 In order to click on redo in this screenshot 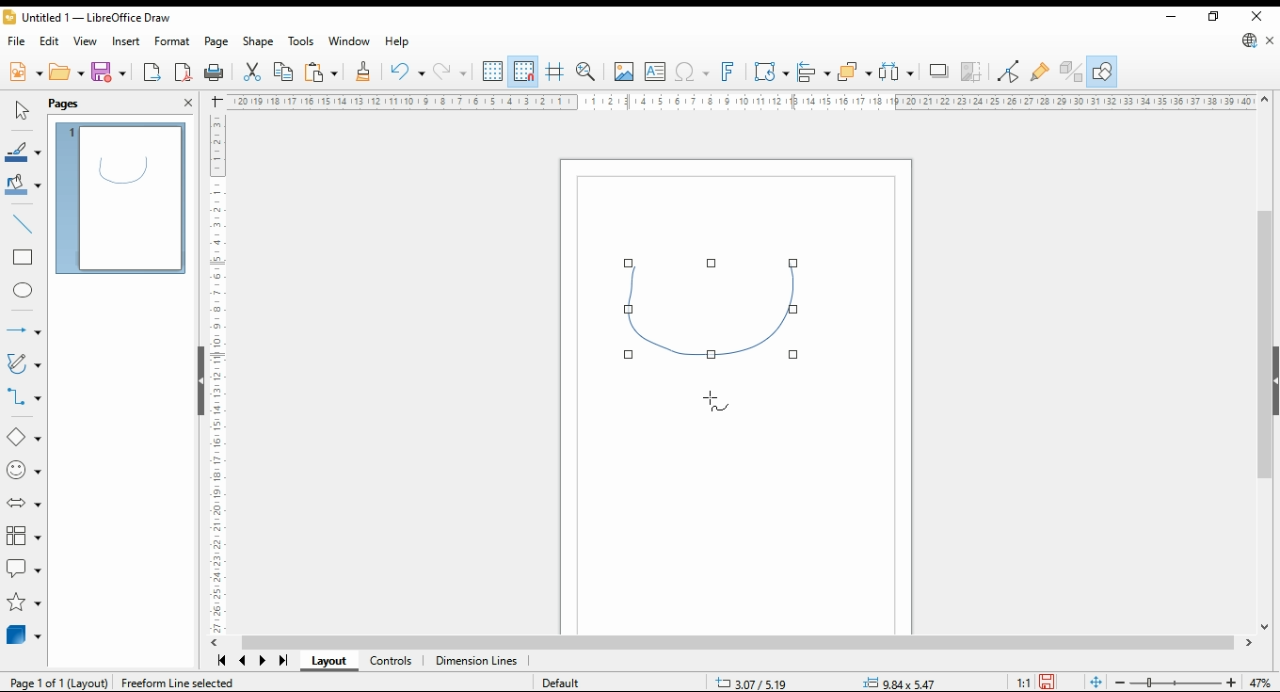, I will do `click(449, 73)`.